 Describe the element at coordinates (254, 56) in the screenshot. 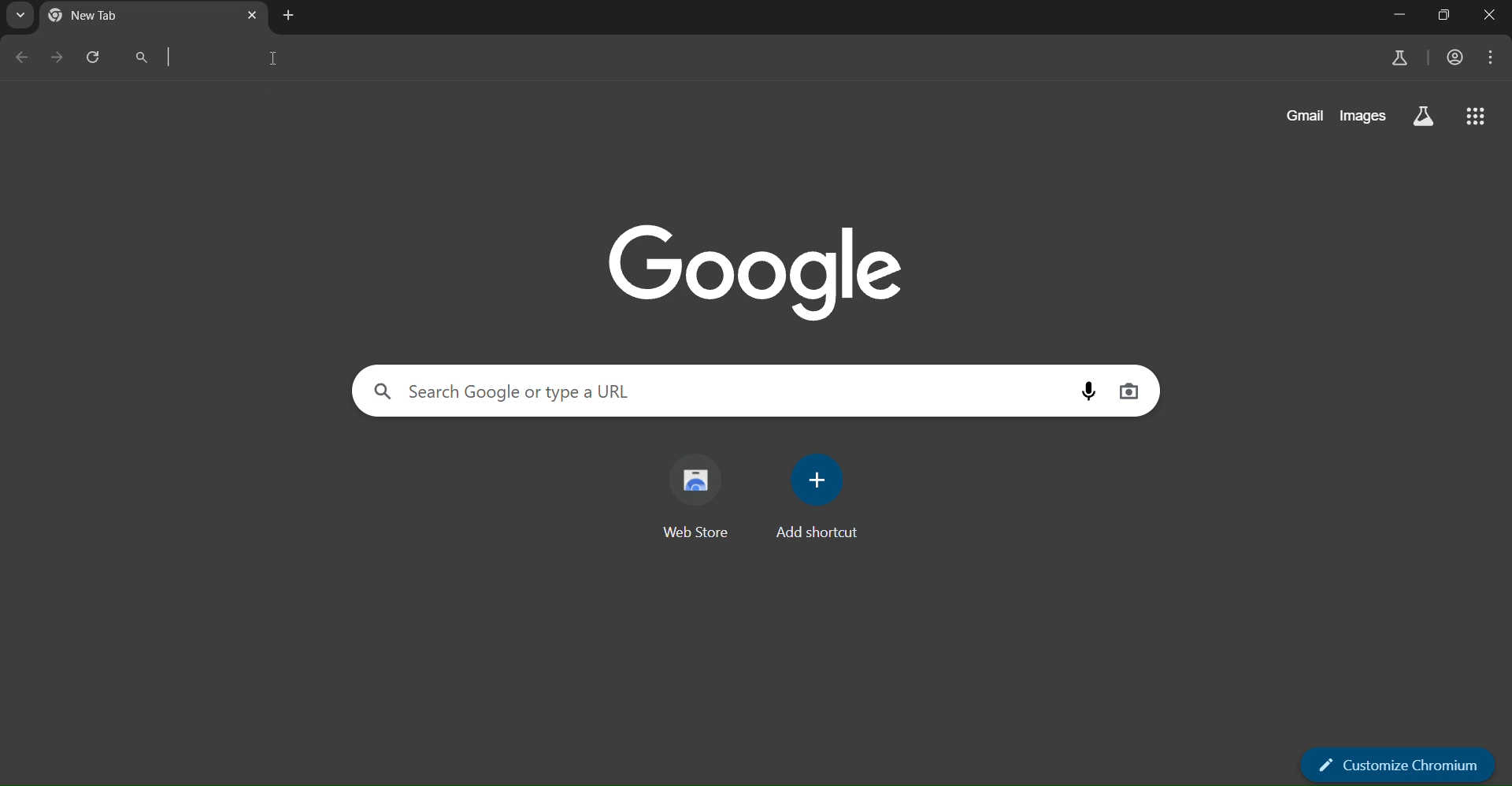

I see `search panel` at that location.